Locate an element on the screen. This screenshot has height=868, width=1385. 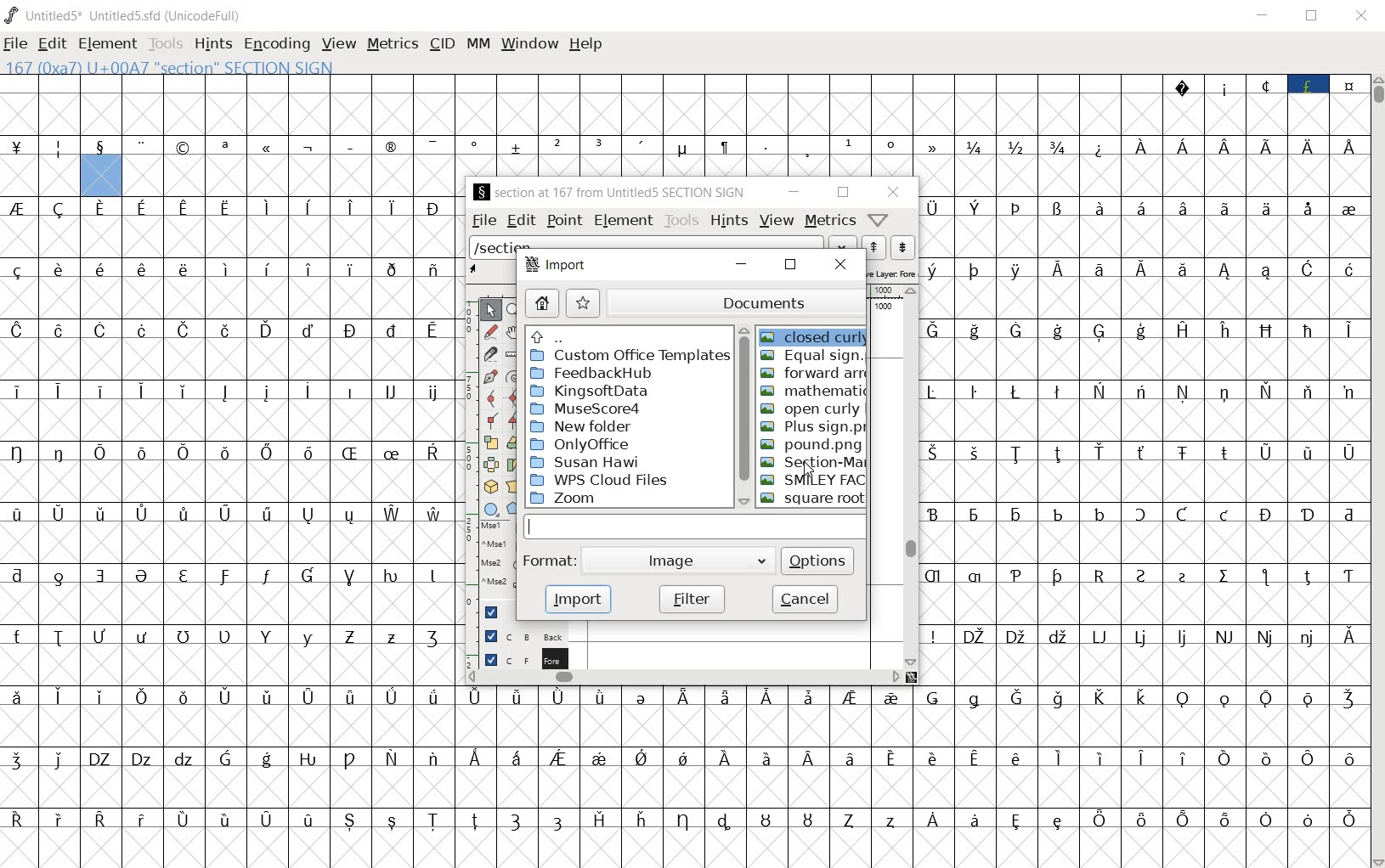
view is located at coordinates (778, 222).